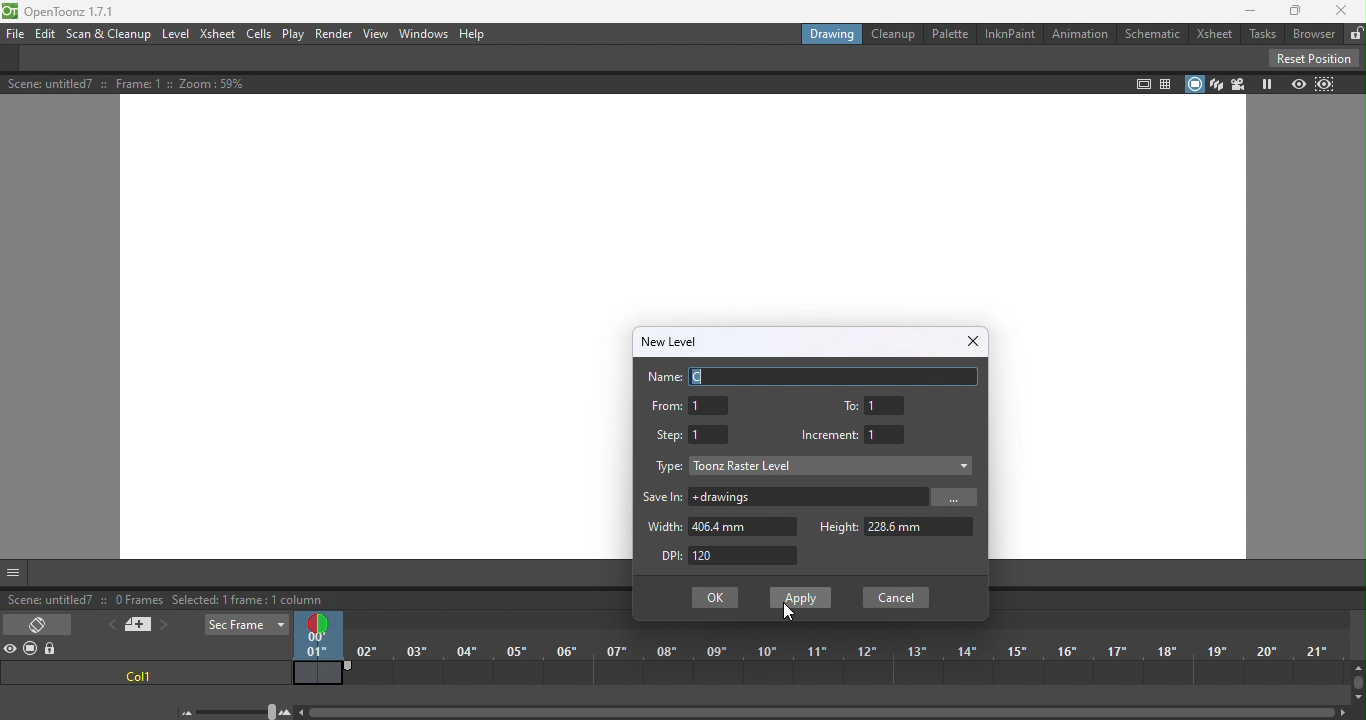 The image size is (1366, 720). Describe the element at coordinates (810, 498) in the screenshot. I see `address` at that location.